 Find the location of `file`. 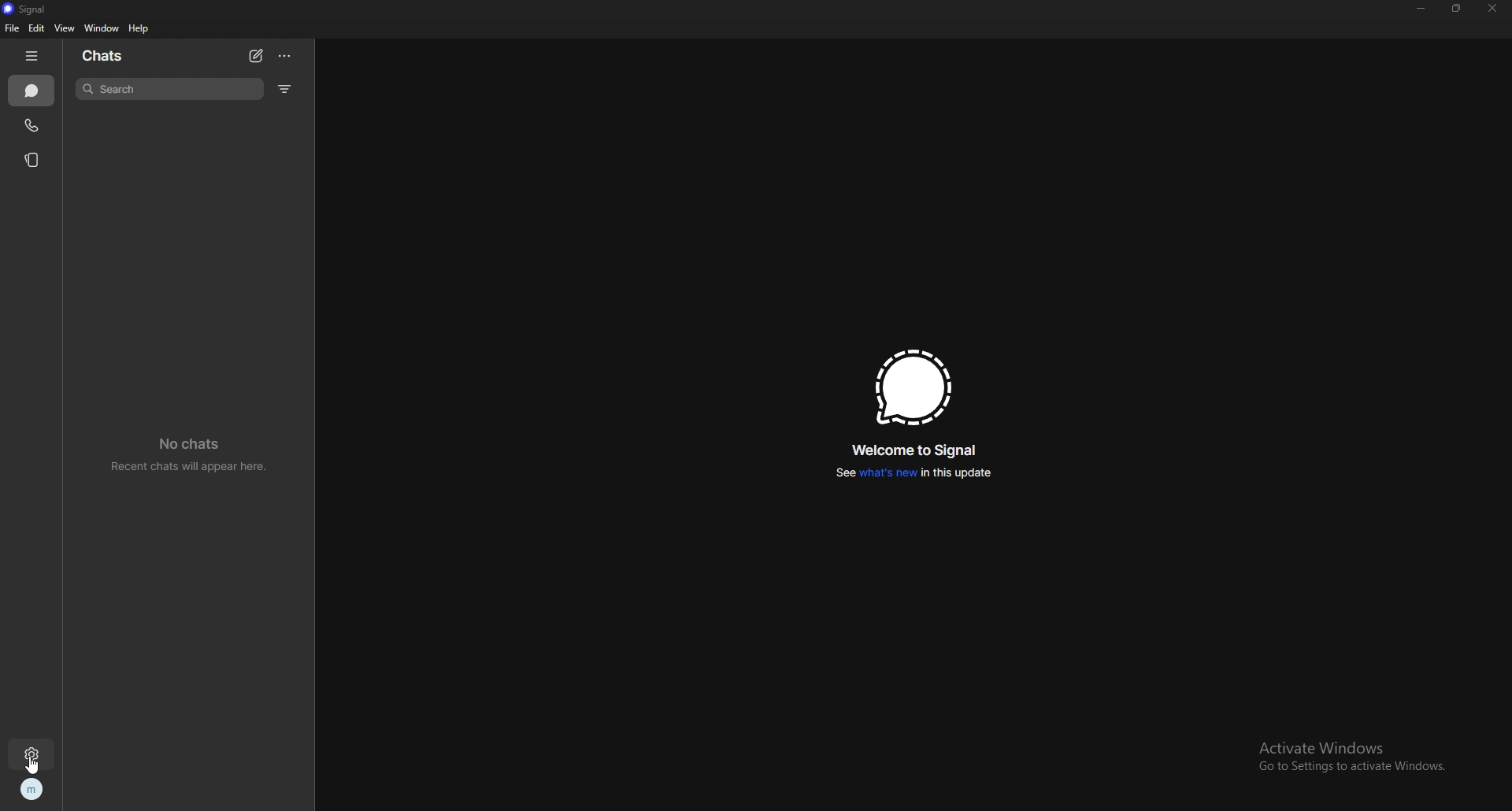

file is located at coordinates (12, 28).